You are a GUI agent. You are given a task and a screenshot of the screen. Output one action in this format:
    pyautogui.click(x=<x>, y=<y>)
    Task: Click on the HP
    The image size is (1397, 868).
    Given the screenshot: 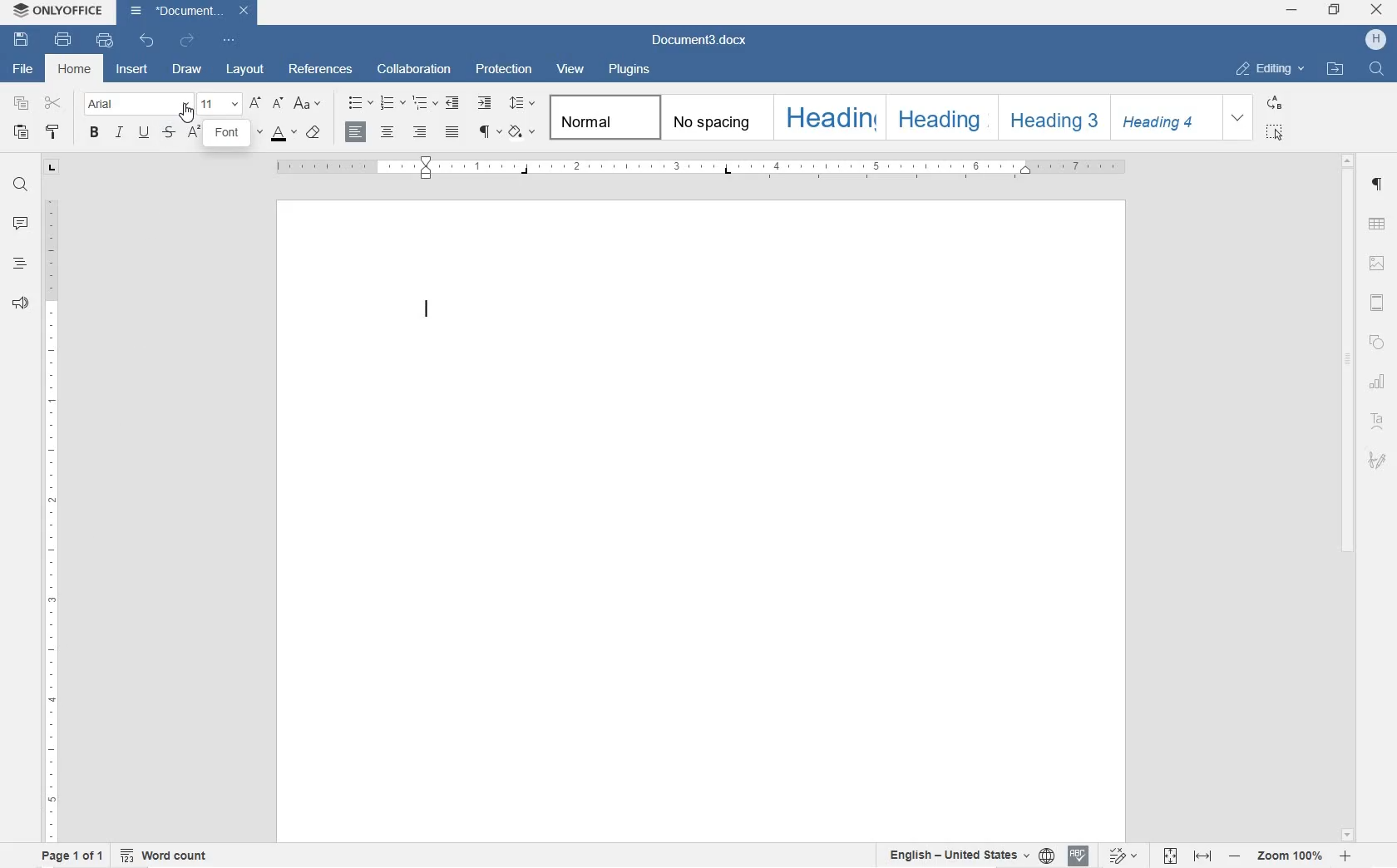 What is the action you would take?
    pyautogui.click(x=1374, y=40)
    